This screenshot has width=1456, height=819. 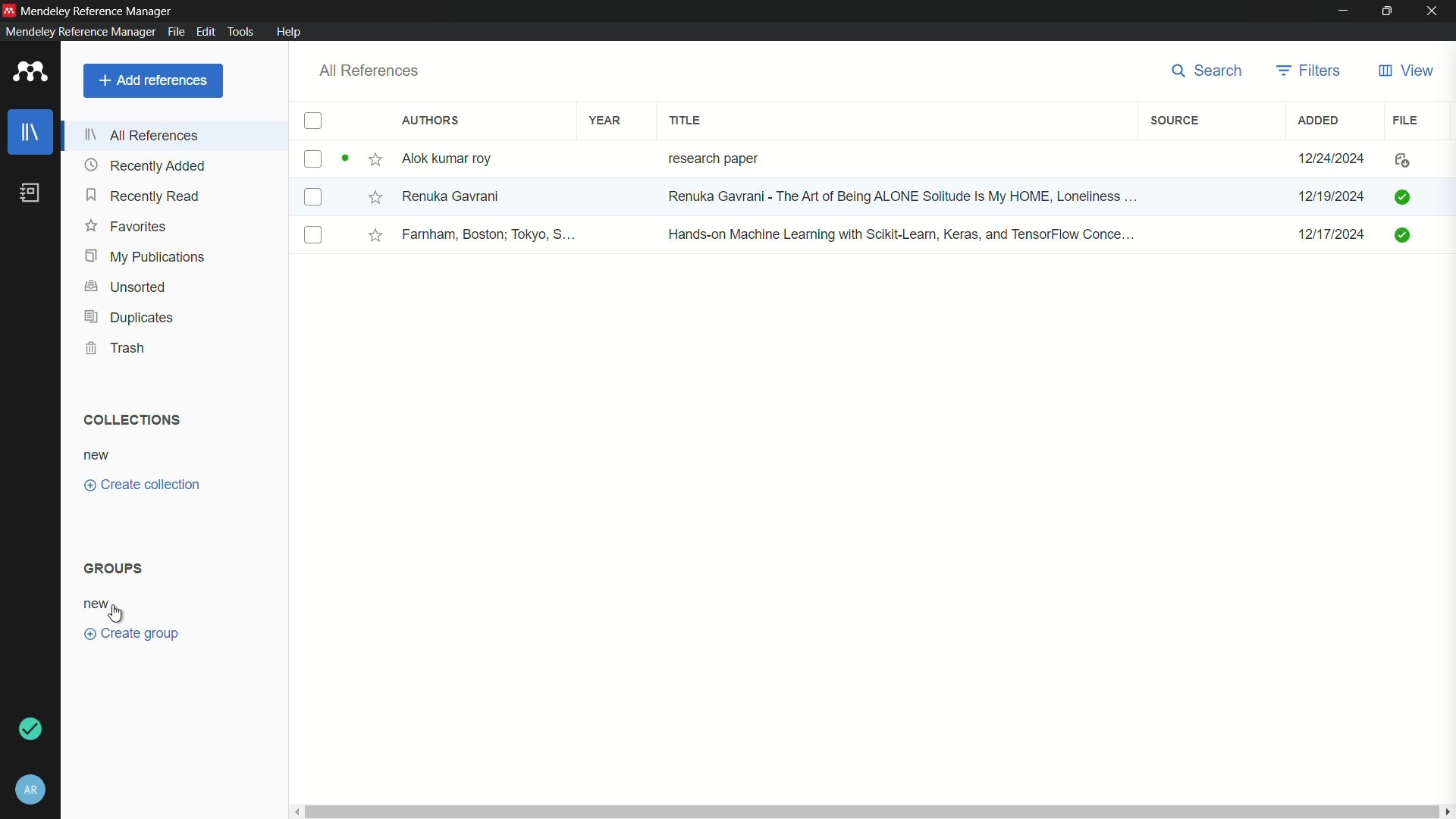 I want to click on added, so click(x=1319, y=120).